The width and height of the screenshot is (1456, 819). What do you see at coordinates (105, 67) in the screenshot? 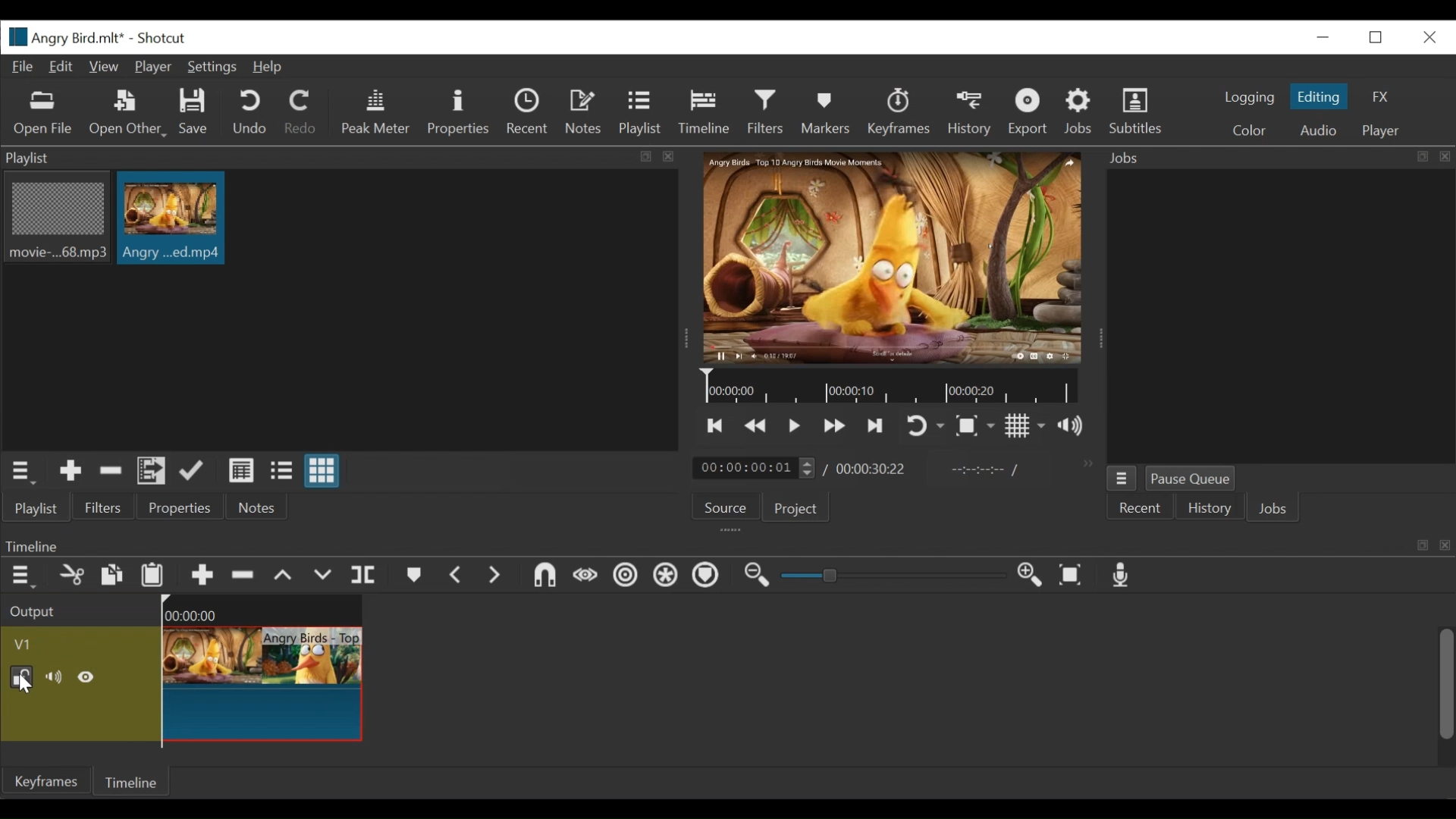
I see `View` at bounding box center [105, 67].